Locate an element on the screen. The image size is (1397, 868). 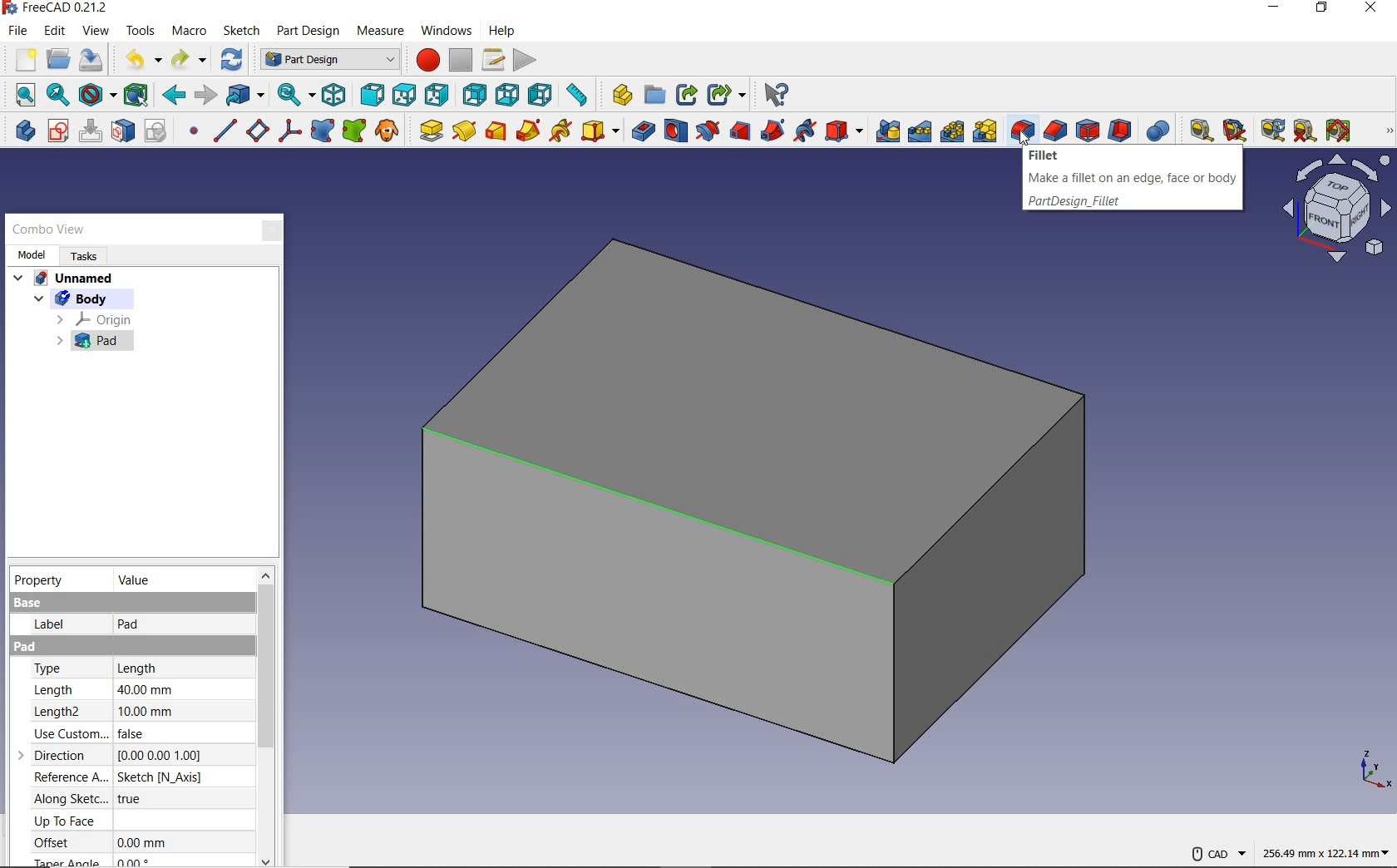
create a subtractive primitive is located at coordinates (845, 130).